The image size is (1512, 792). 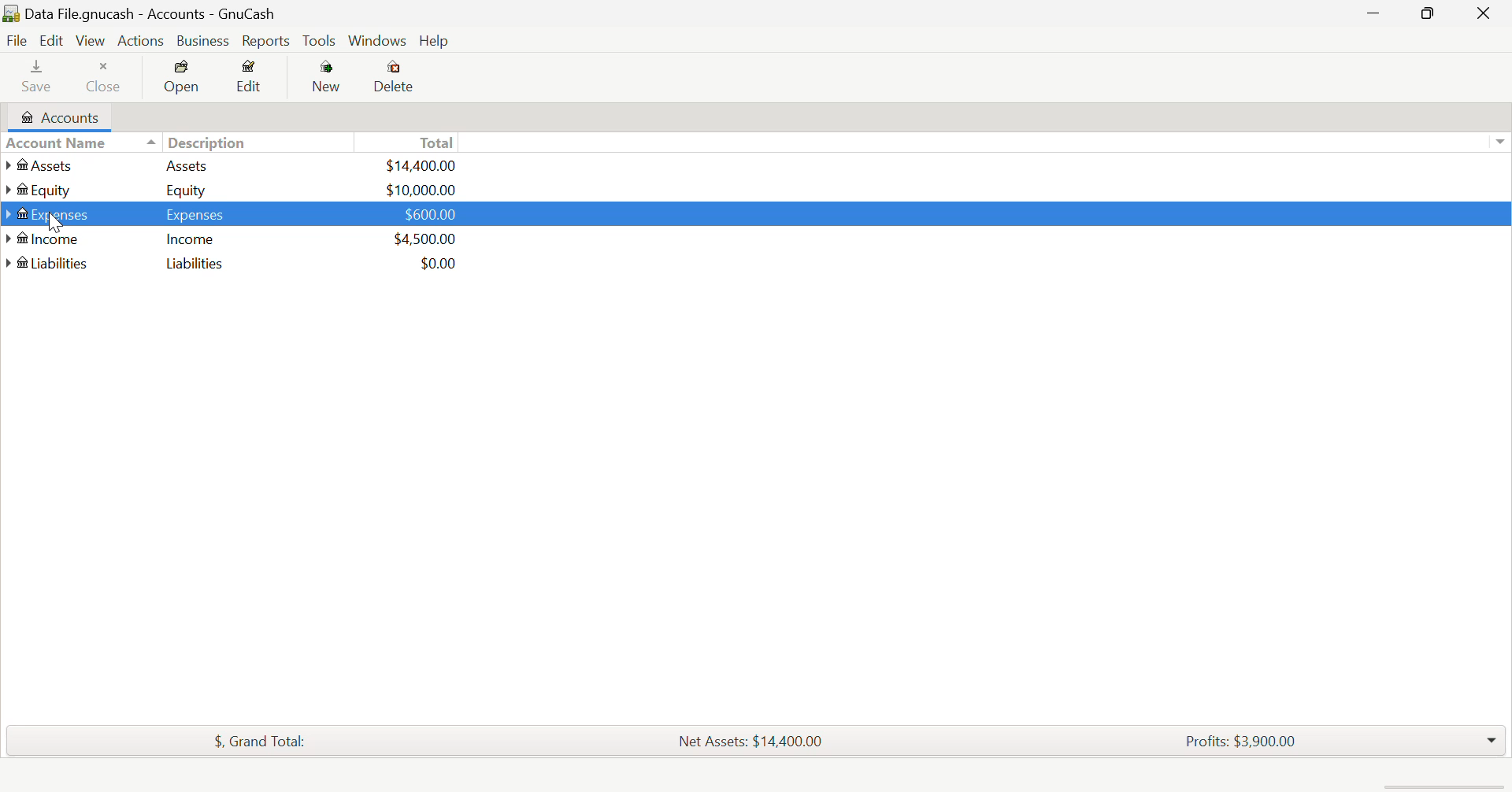 I want to click on Liabilities Account, so click(x=47, y=265).